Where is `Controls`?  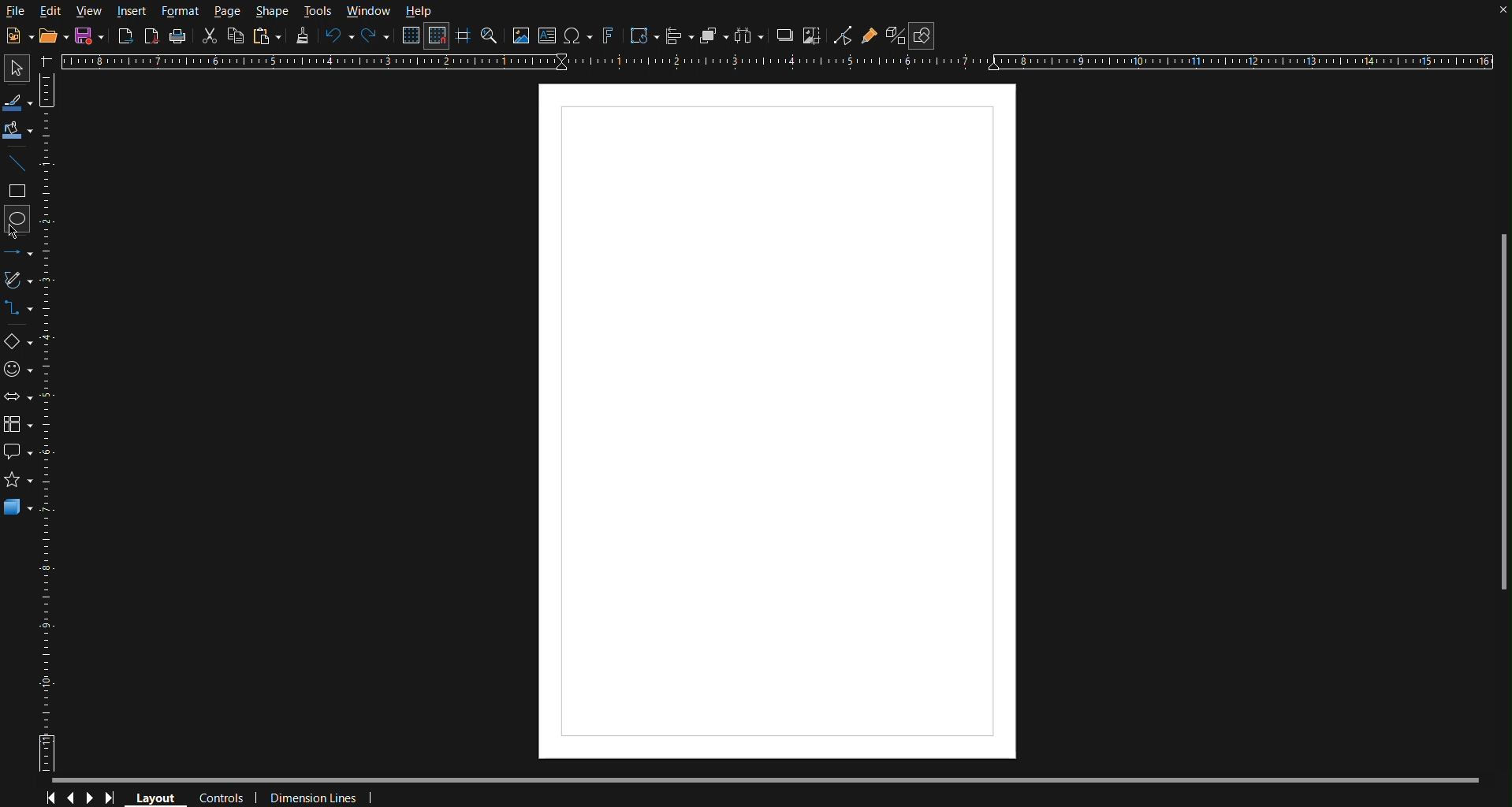
Controls is located at coordinates (82, 796).